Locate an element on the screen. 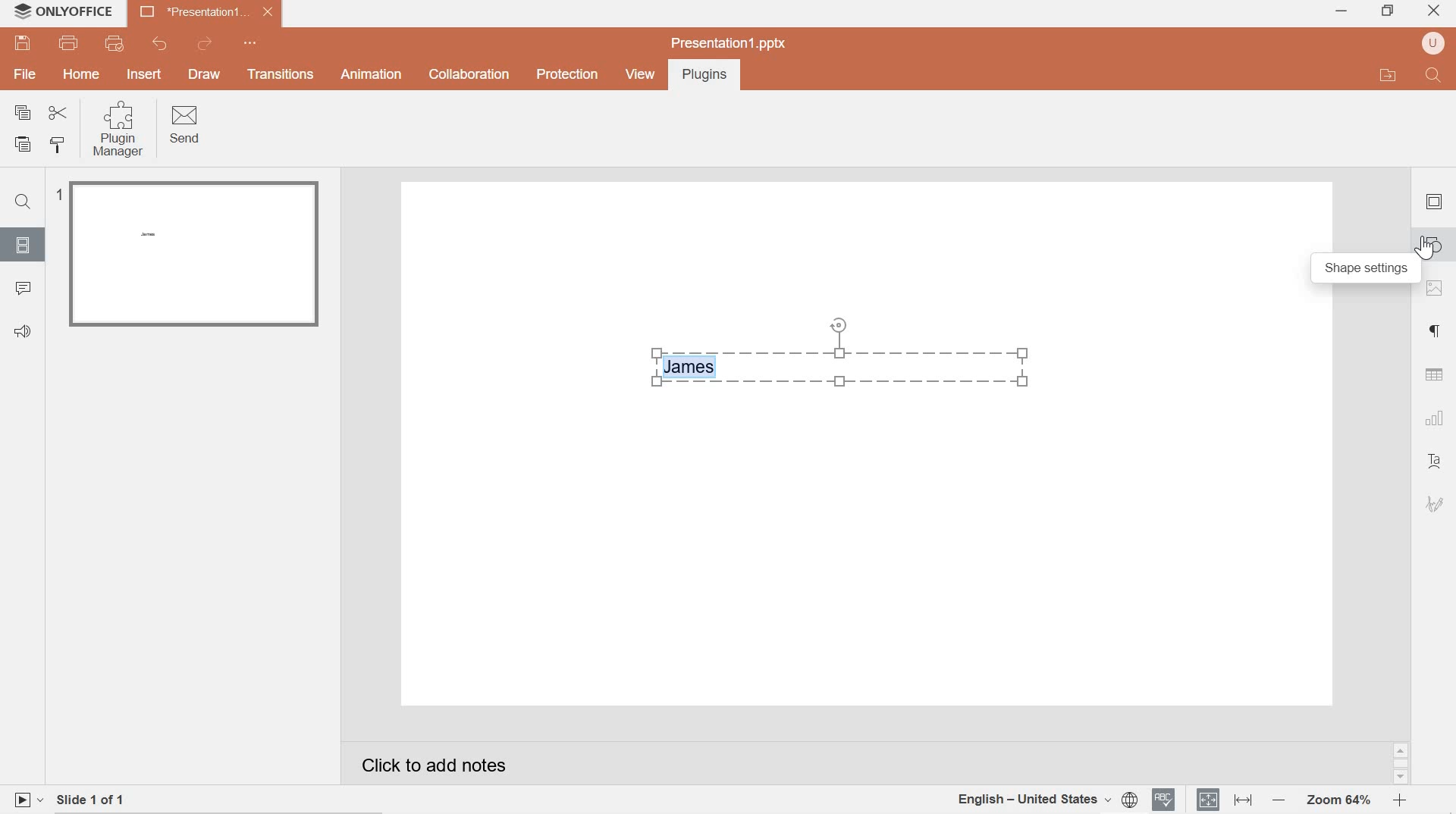 The height and width of the screenshot is (814, 1456). paste is located at coordinates (26, 145).